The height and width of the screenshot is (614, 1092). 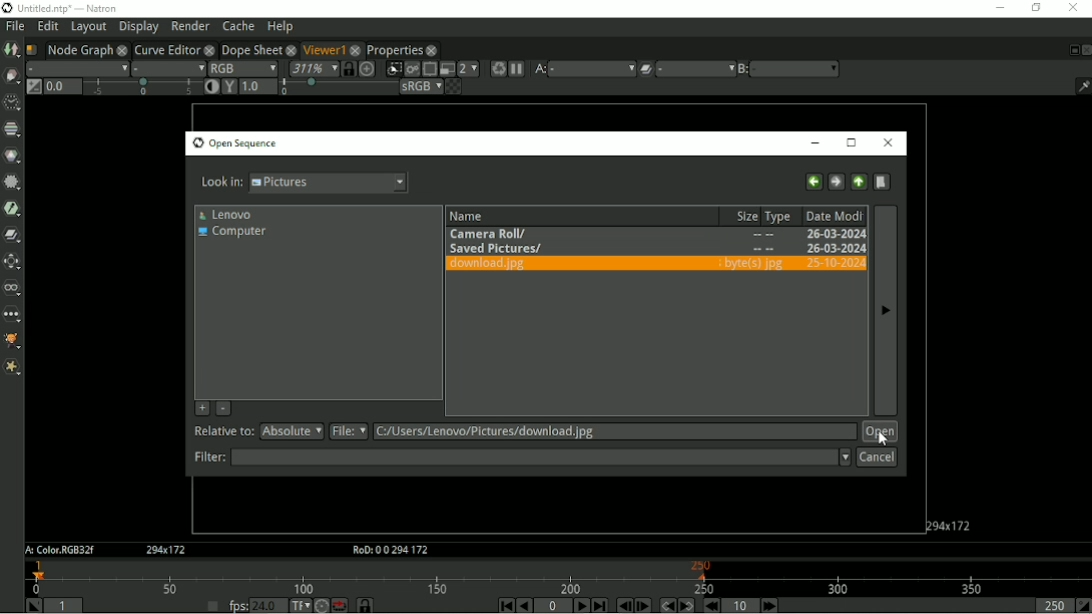 What do you see at coordinates (1050, 606) in the screenshot?
I see `Playback out point` at bounding box center [1050, 606].